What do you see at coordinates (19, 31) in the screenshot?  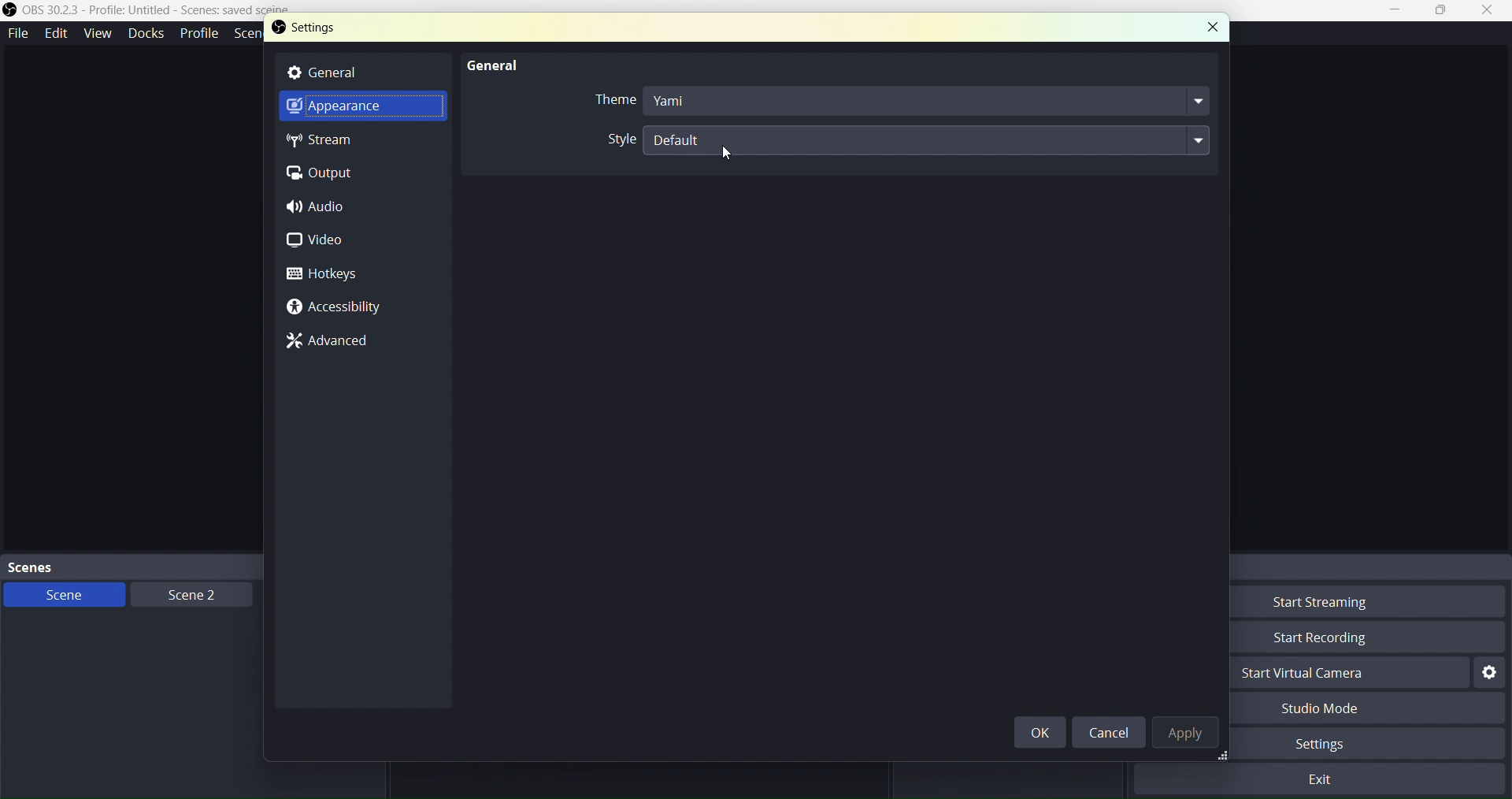 I see `File` at bounding box center [19, 31].